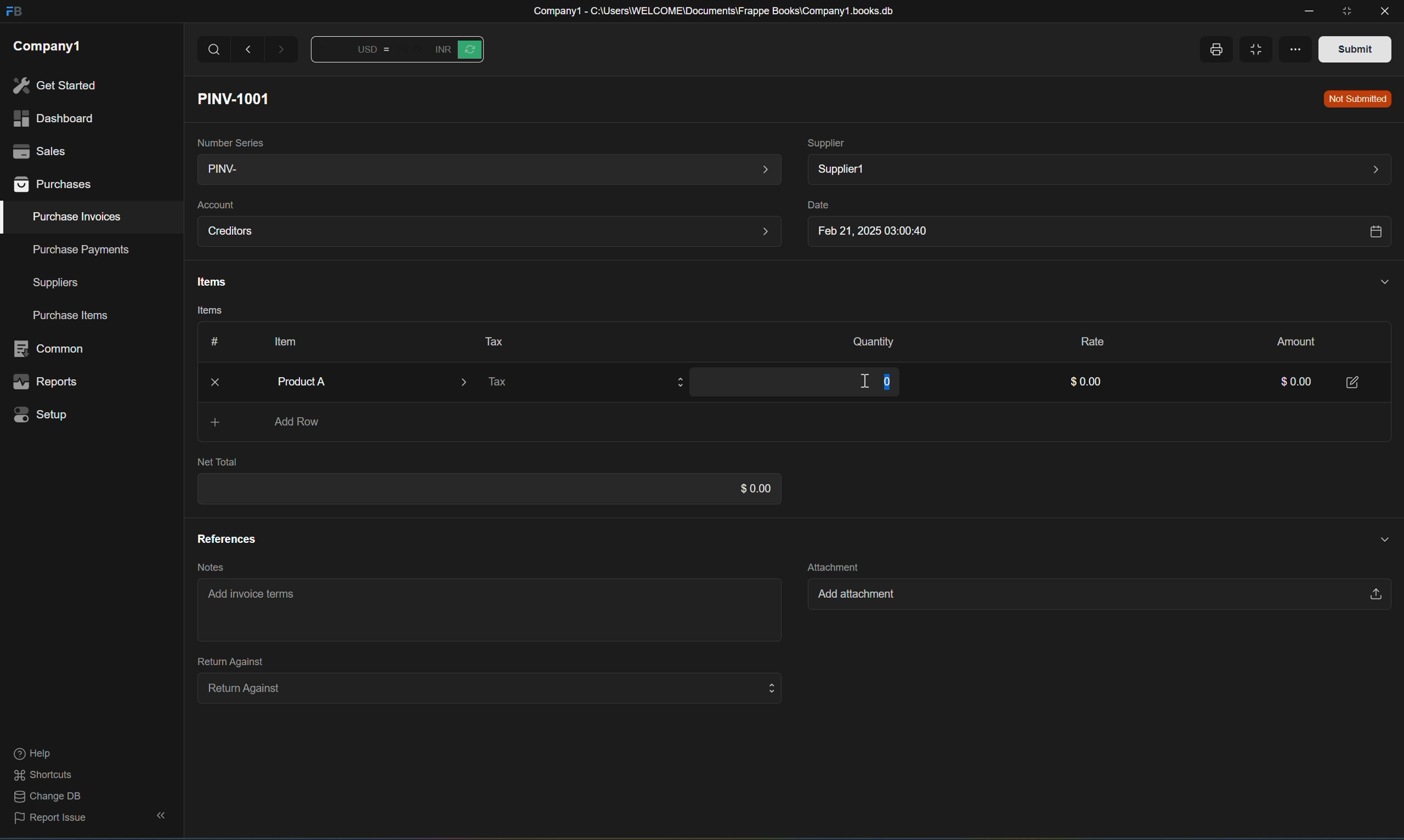 The height and width of the screenshot is (840, 1404). What do you see at coordinates (1082, 383) in the screenshot?
I see `$0.00` at bounding box center [1082, 383].